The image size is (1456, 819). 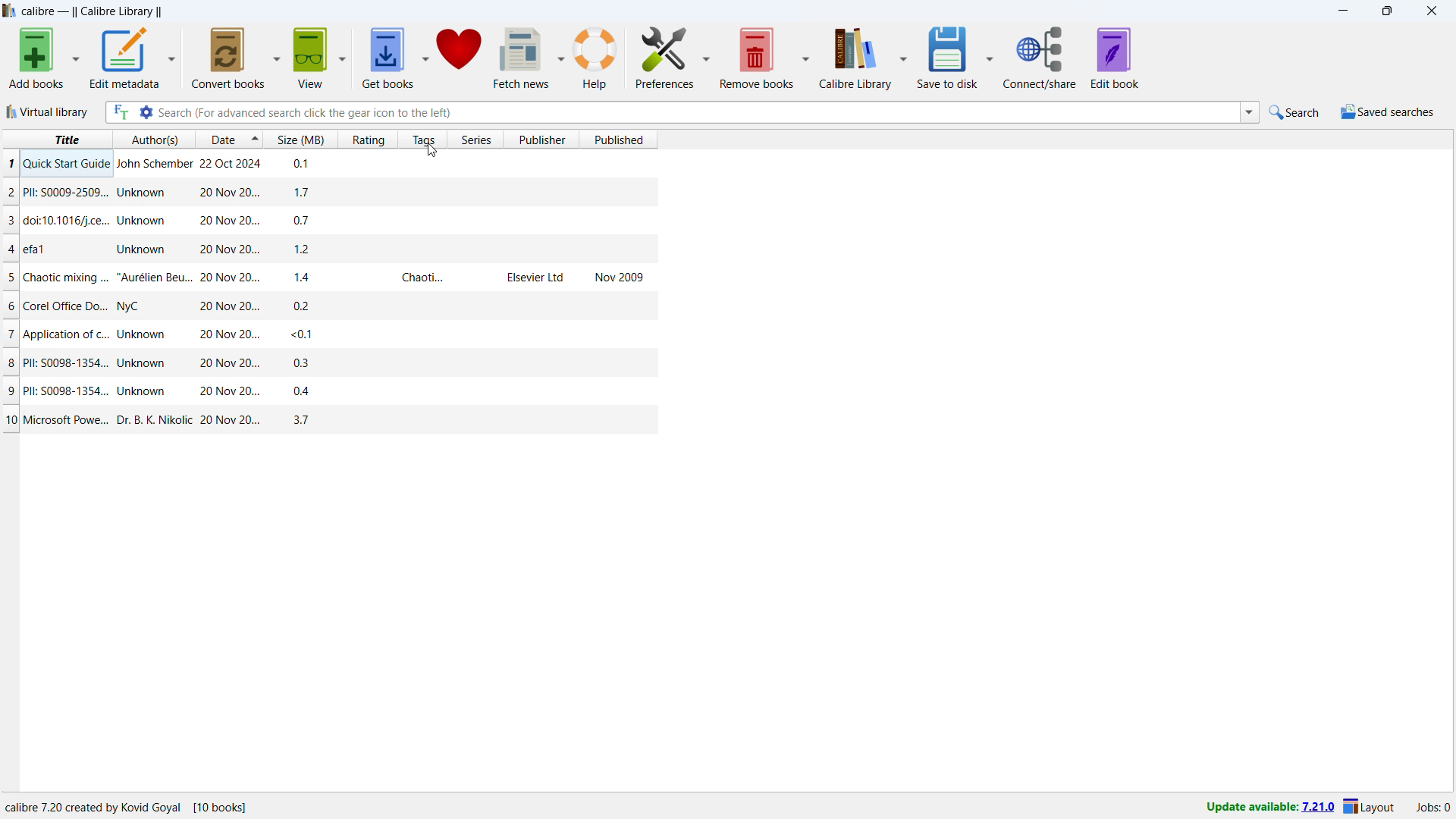 What do you see at coordinates (1040, 58) in the screenshot?
I see `connect/share` at bounding box center [1040, 58].